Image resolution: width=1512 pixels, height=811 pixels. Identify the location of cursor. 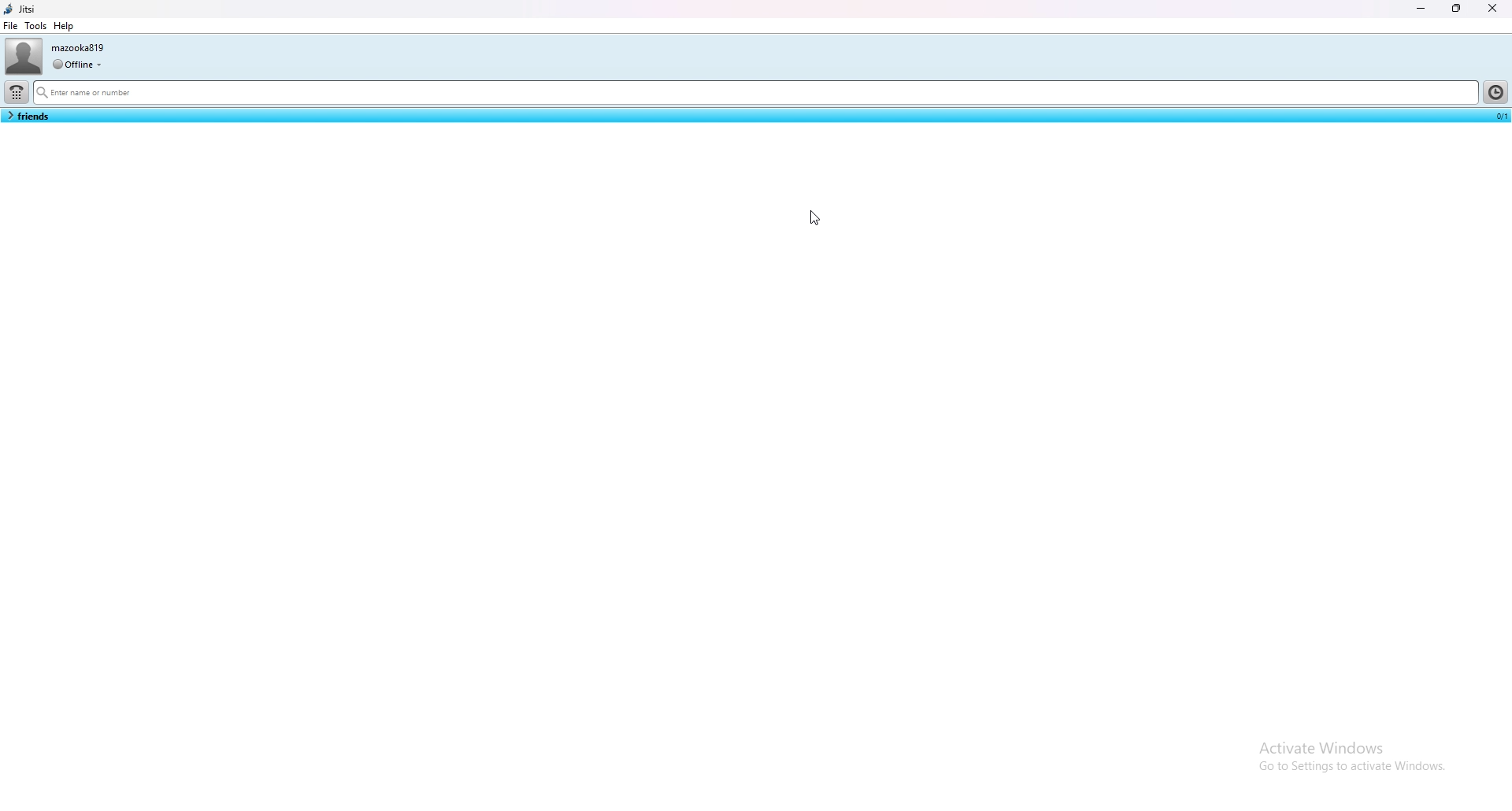
(813, 221).